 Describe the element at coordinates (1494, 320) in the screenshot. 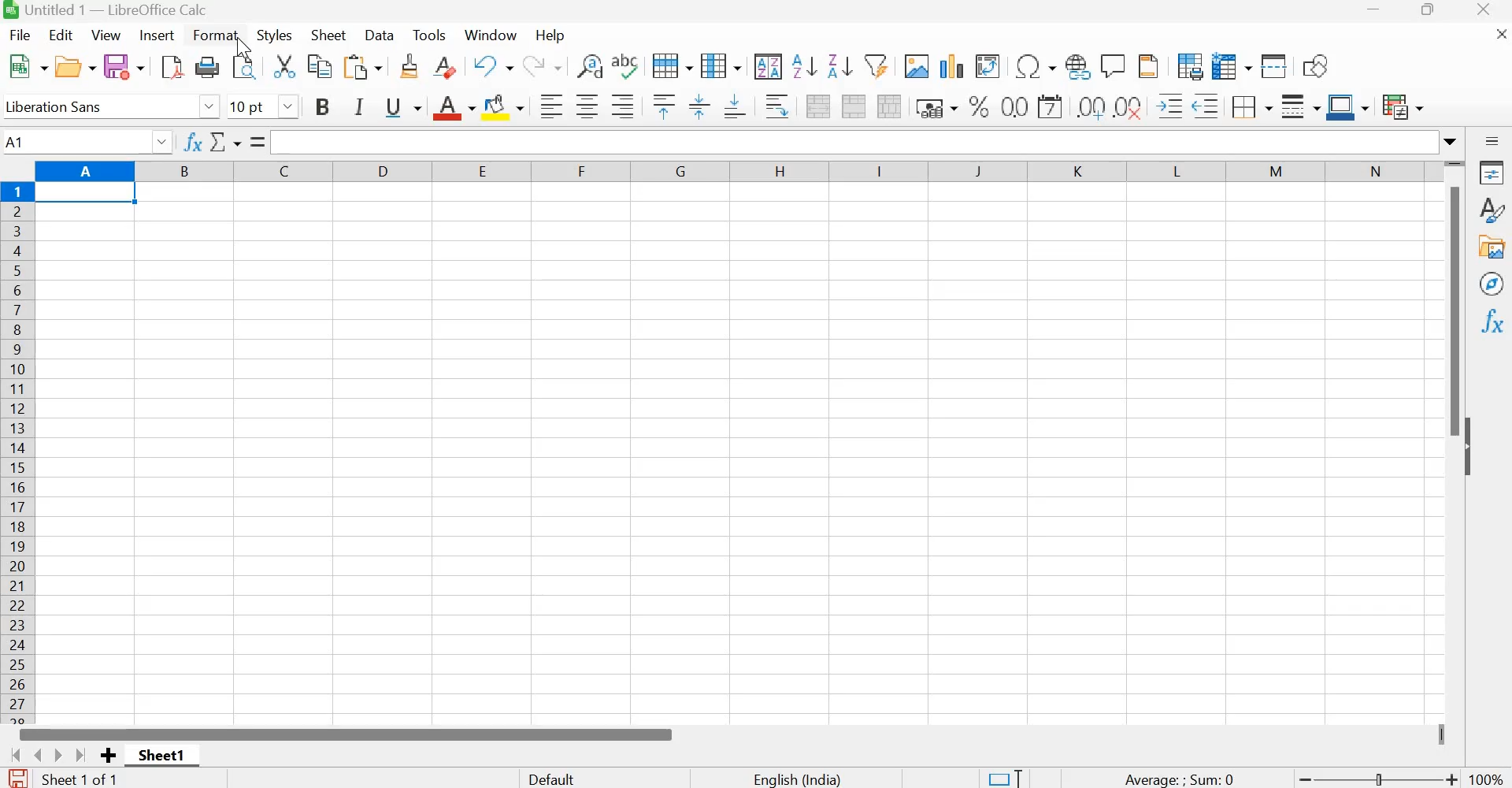

I see `Functions` at that location.